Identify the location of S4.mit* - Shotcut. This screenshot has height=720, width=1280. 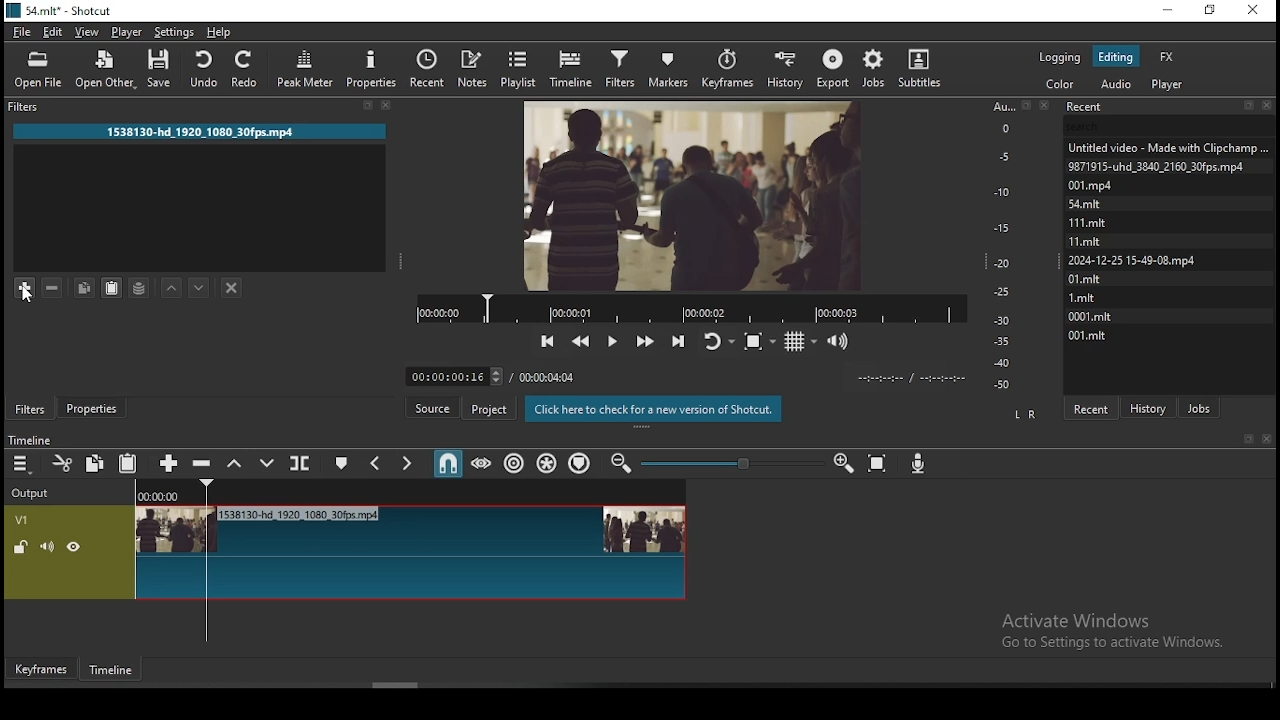
(59, 10).